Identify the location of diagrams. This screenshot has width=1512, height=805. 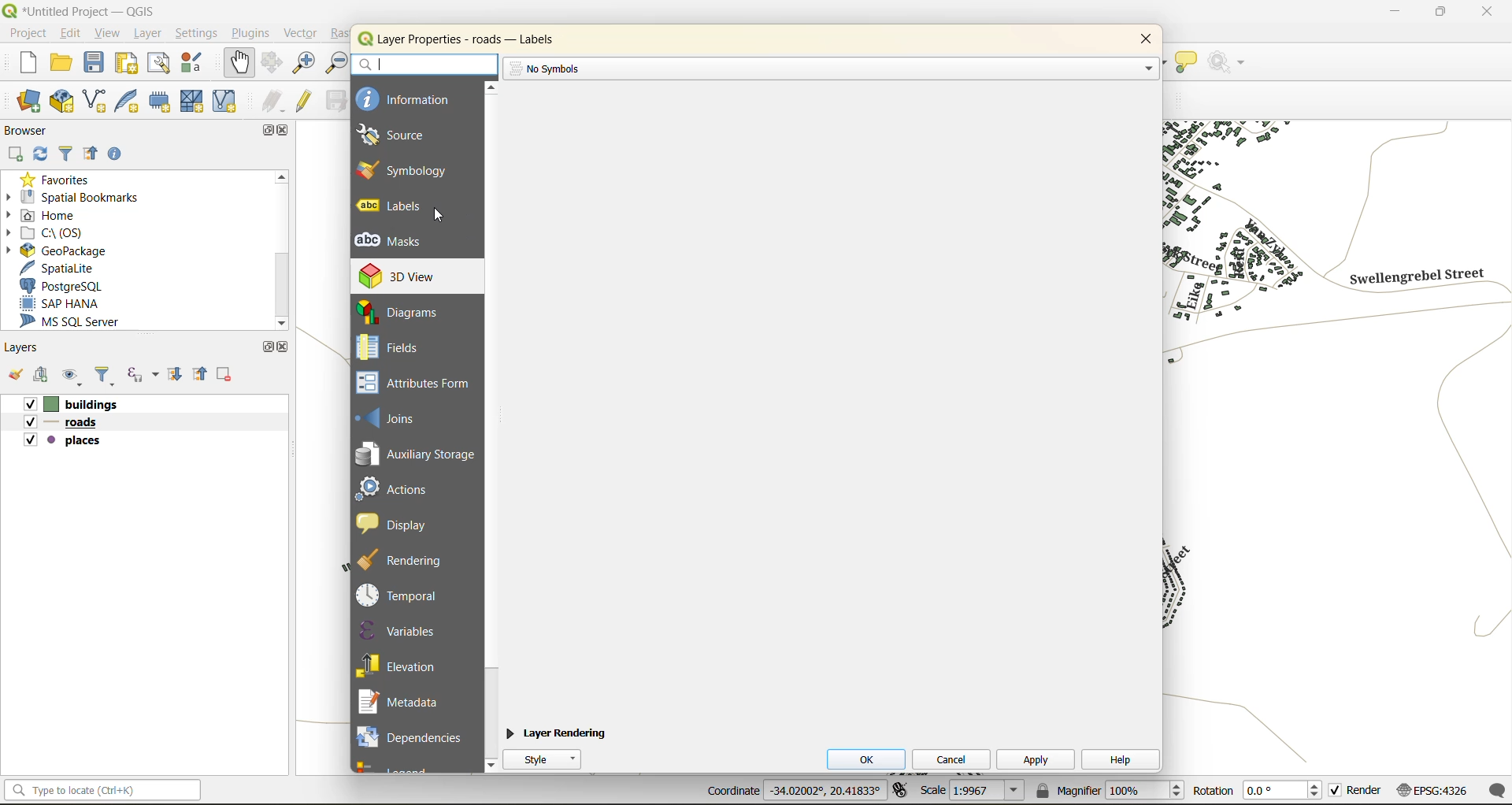
(407, 312).